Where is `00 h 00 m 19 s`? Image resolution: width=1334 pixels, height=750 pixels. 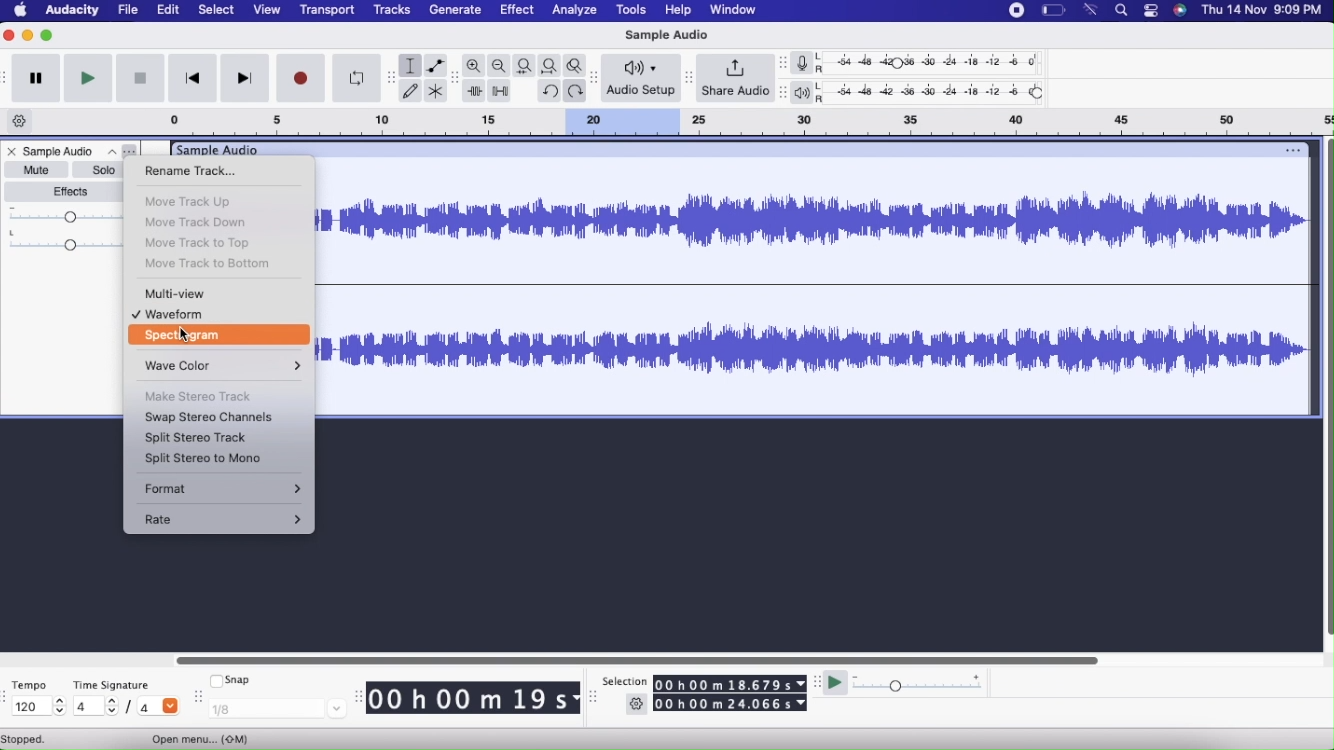
00 h 00 m 19 s is located at coordinates (473, 697).